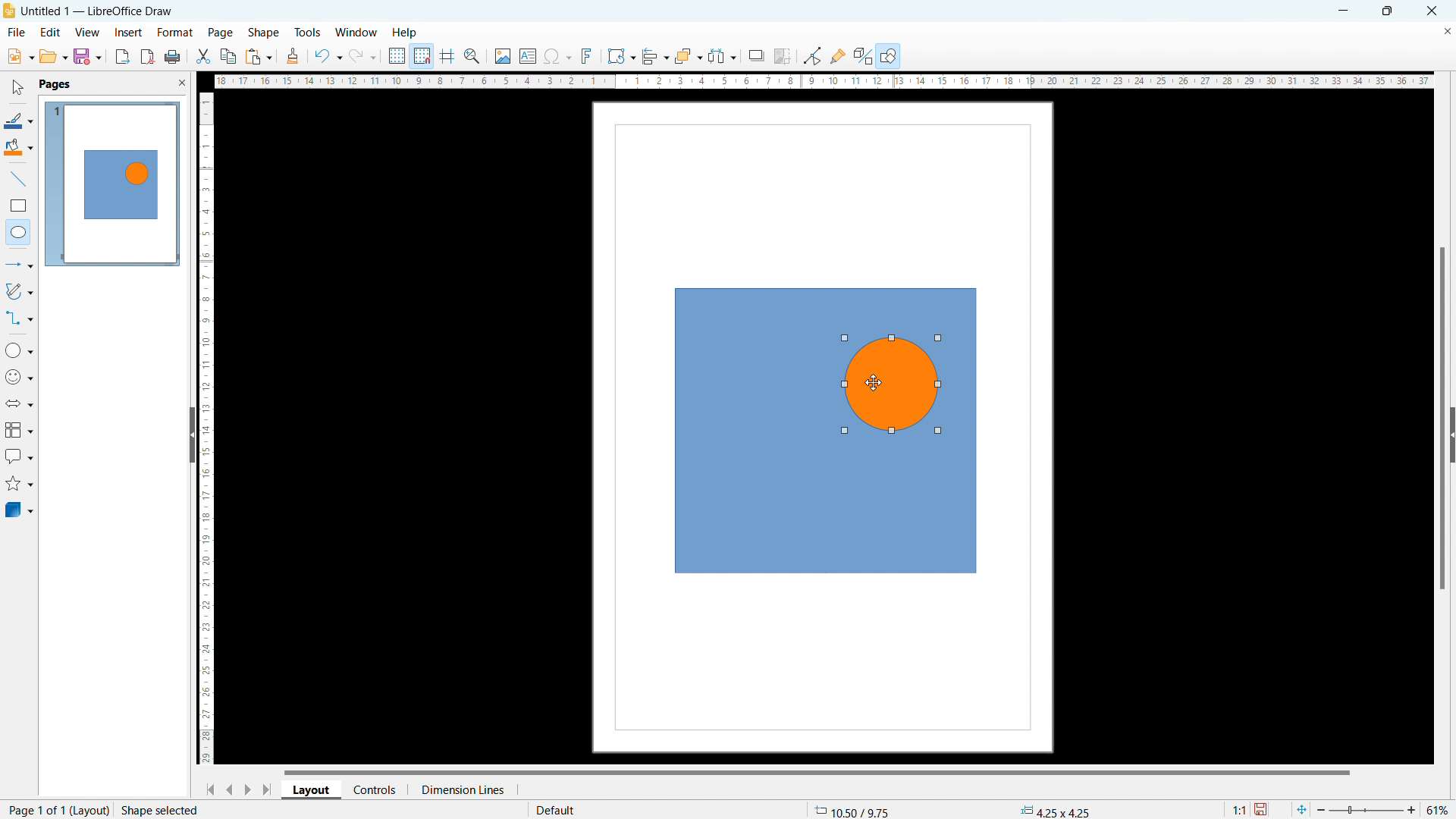 The height and width of the screenshot is (819, 1456). What do you see at coordinates (1365, 810) in the screenshot?
I see `slider` at bounding box center [1365, 810].